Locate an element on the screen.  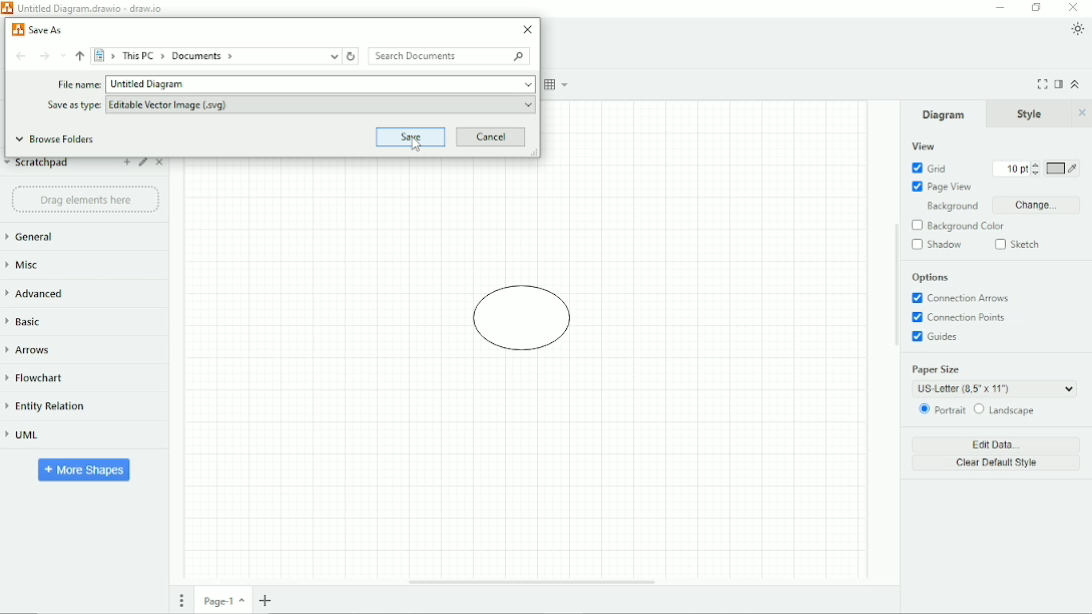
Advanced is located at coordinates (38, 293).